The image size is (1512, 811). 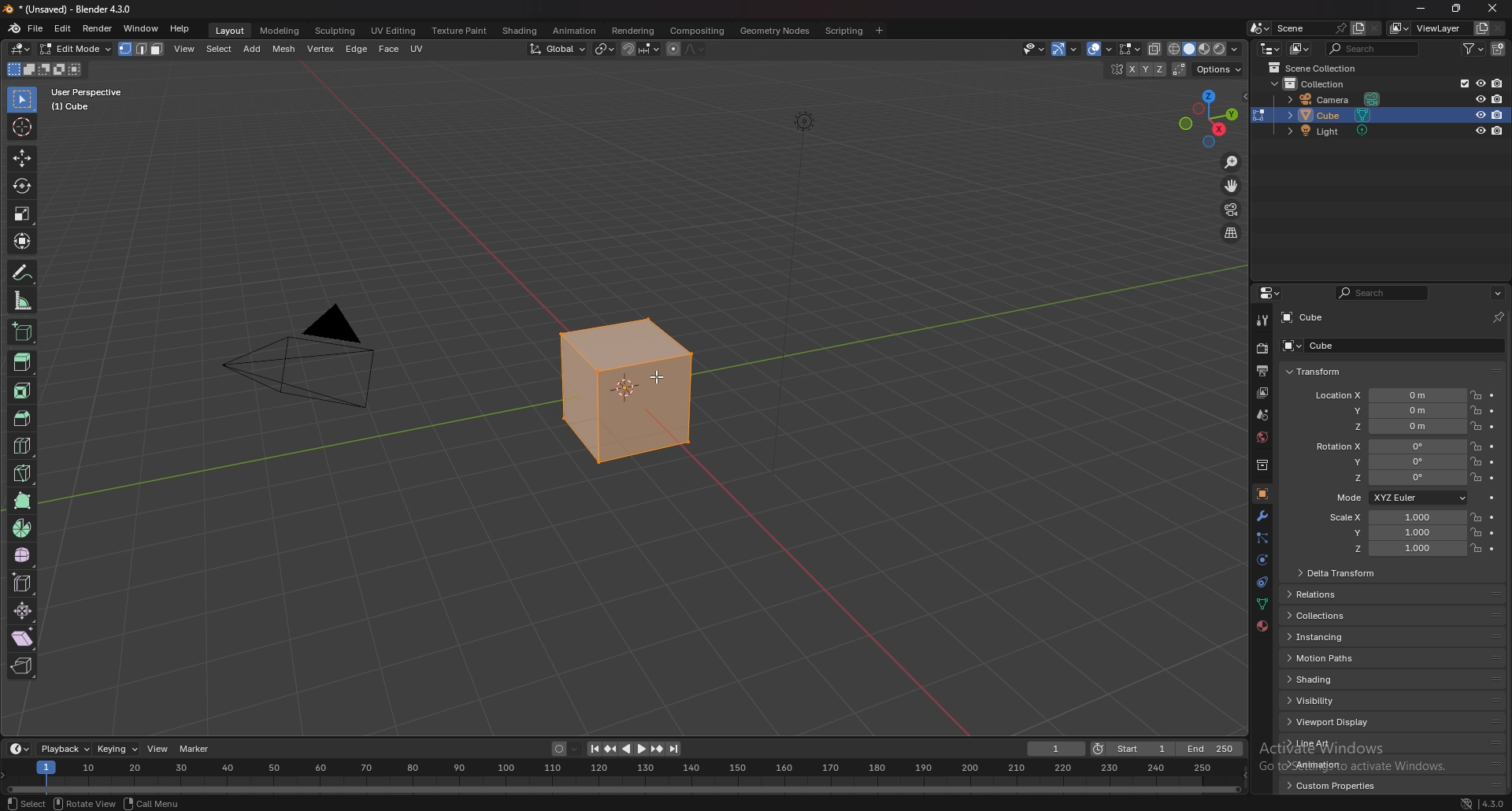 What do you see at coordinates (1480, 98) in the screenshot?
I see `hide in viewport` at bounding box center [1480, 98].